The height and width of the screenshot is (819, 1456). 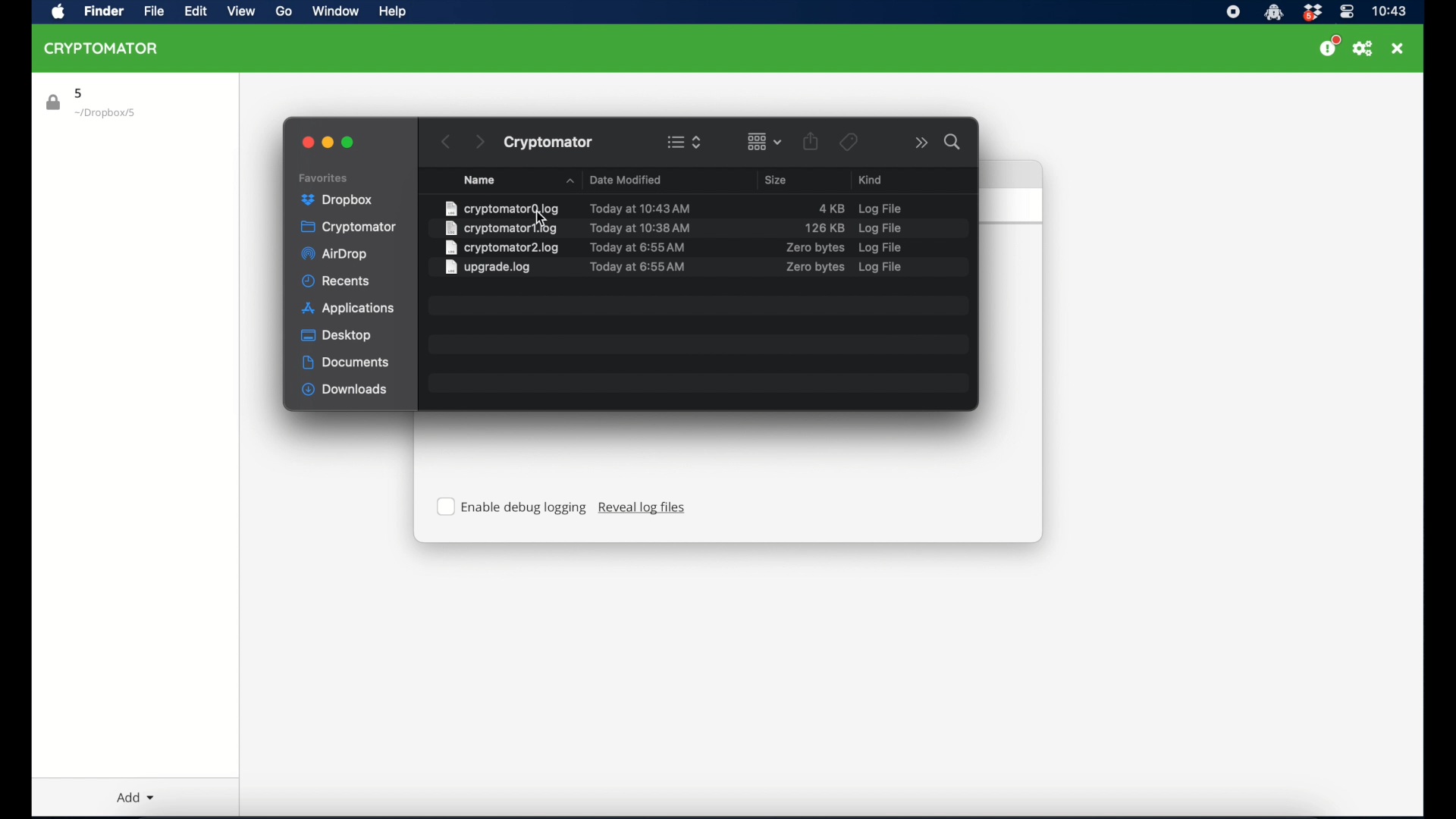 What do you see at coordinates (880, 268) in the screenshot?
I see `log file` at bounding box center [880, 268].